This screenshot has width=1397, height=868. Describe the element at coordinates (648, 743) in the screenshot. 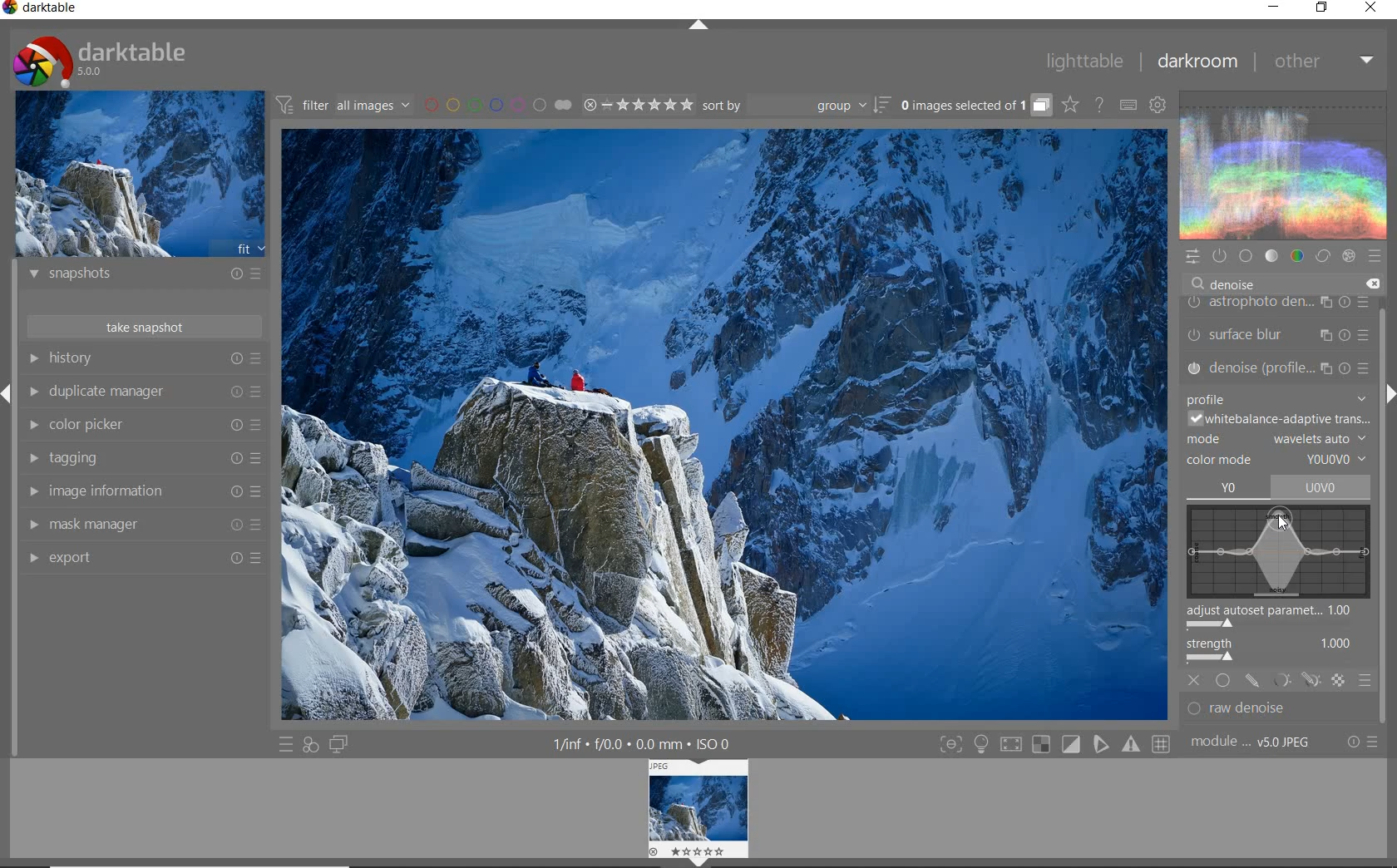

I see `1/inf*f/0.0 mm*ISO 0` at that location.